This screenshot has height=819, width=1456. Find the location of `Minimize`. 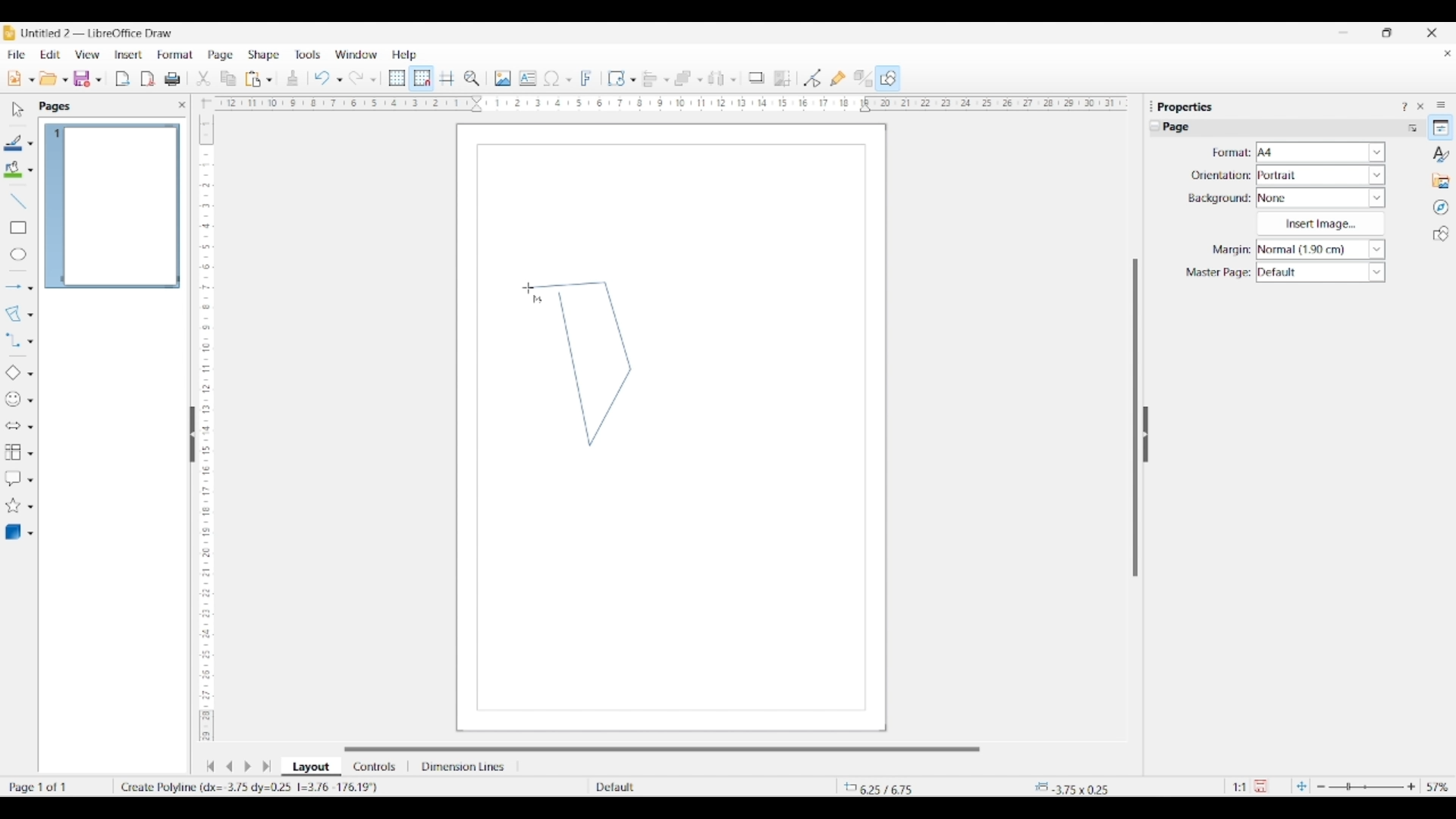

Minimize is located at coordinates (1344, 33).